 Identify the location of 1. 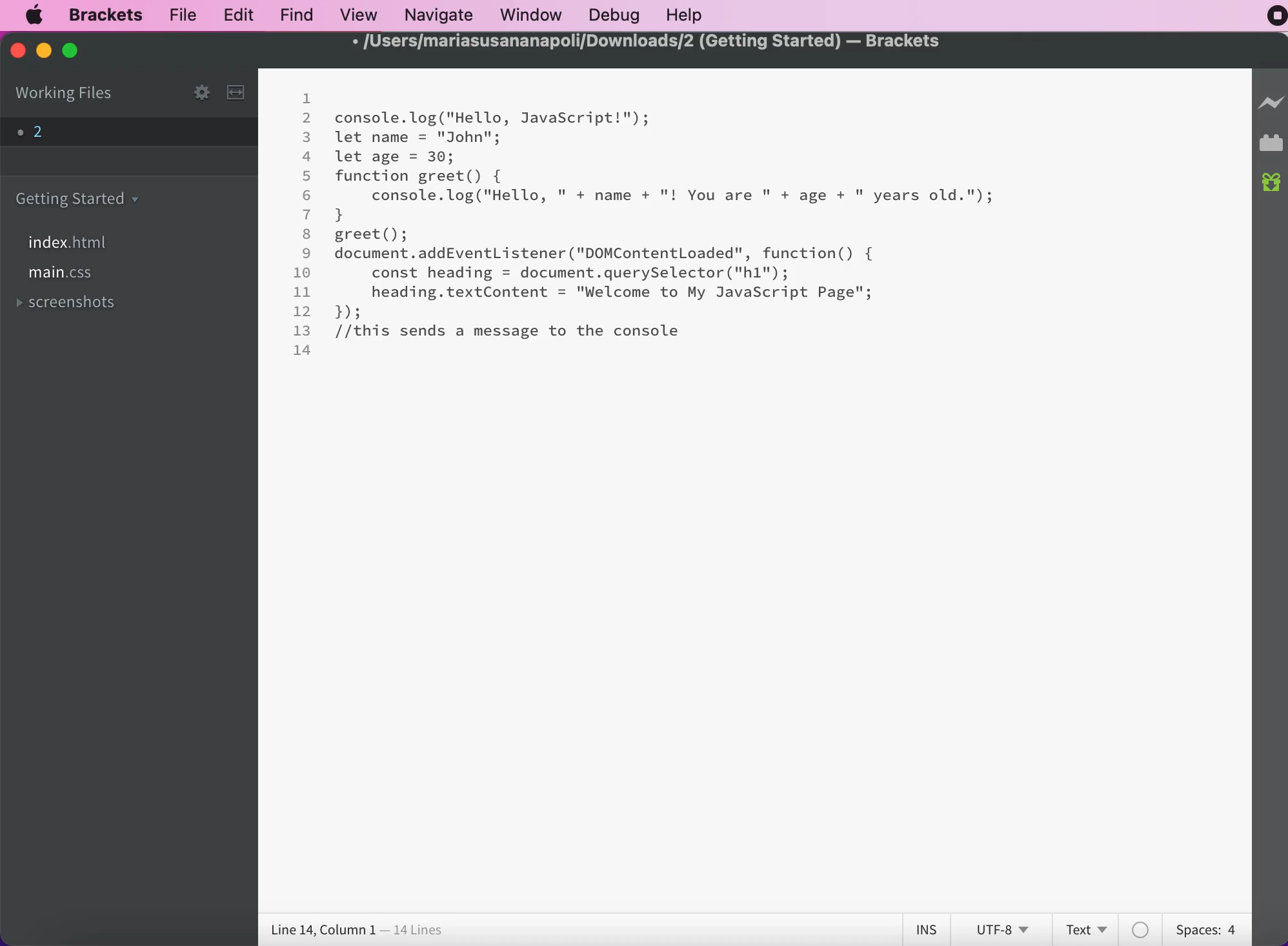
(308, 99).